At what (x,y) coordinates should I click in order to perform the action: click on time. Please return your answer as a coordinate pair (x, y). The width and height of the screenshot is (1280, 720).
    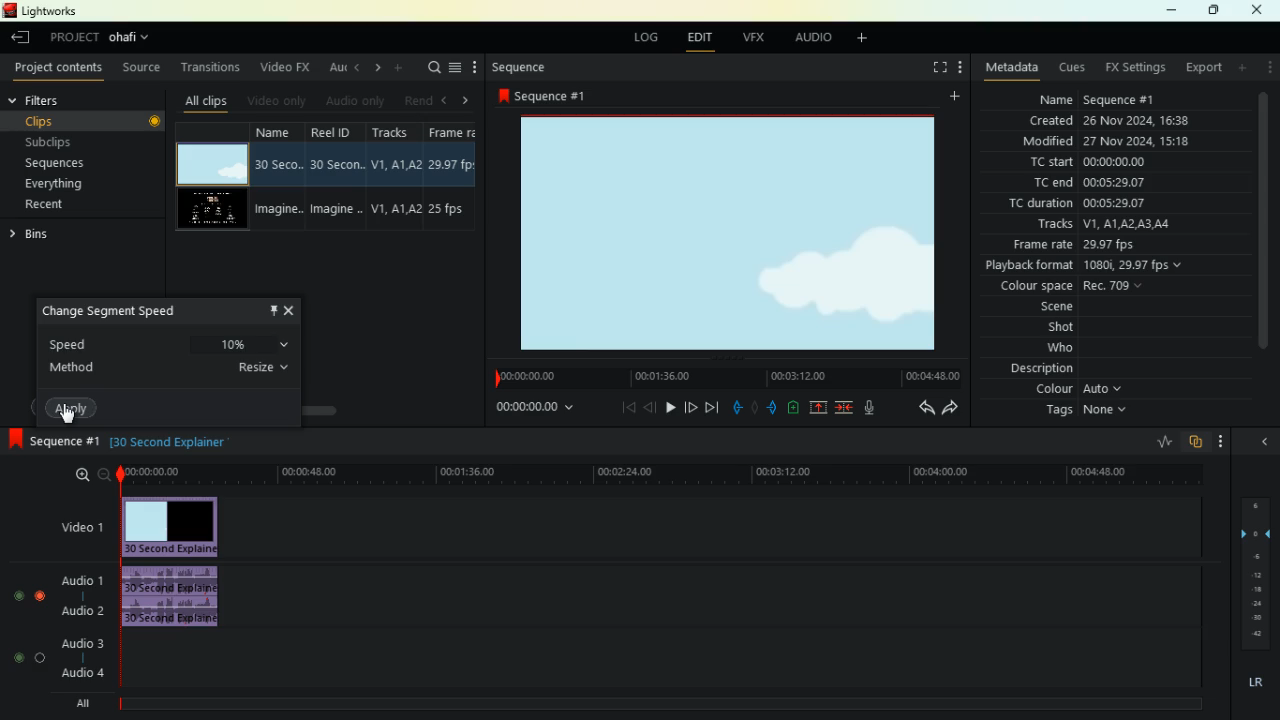
    Looking at the image, I should click on (664, 474).